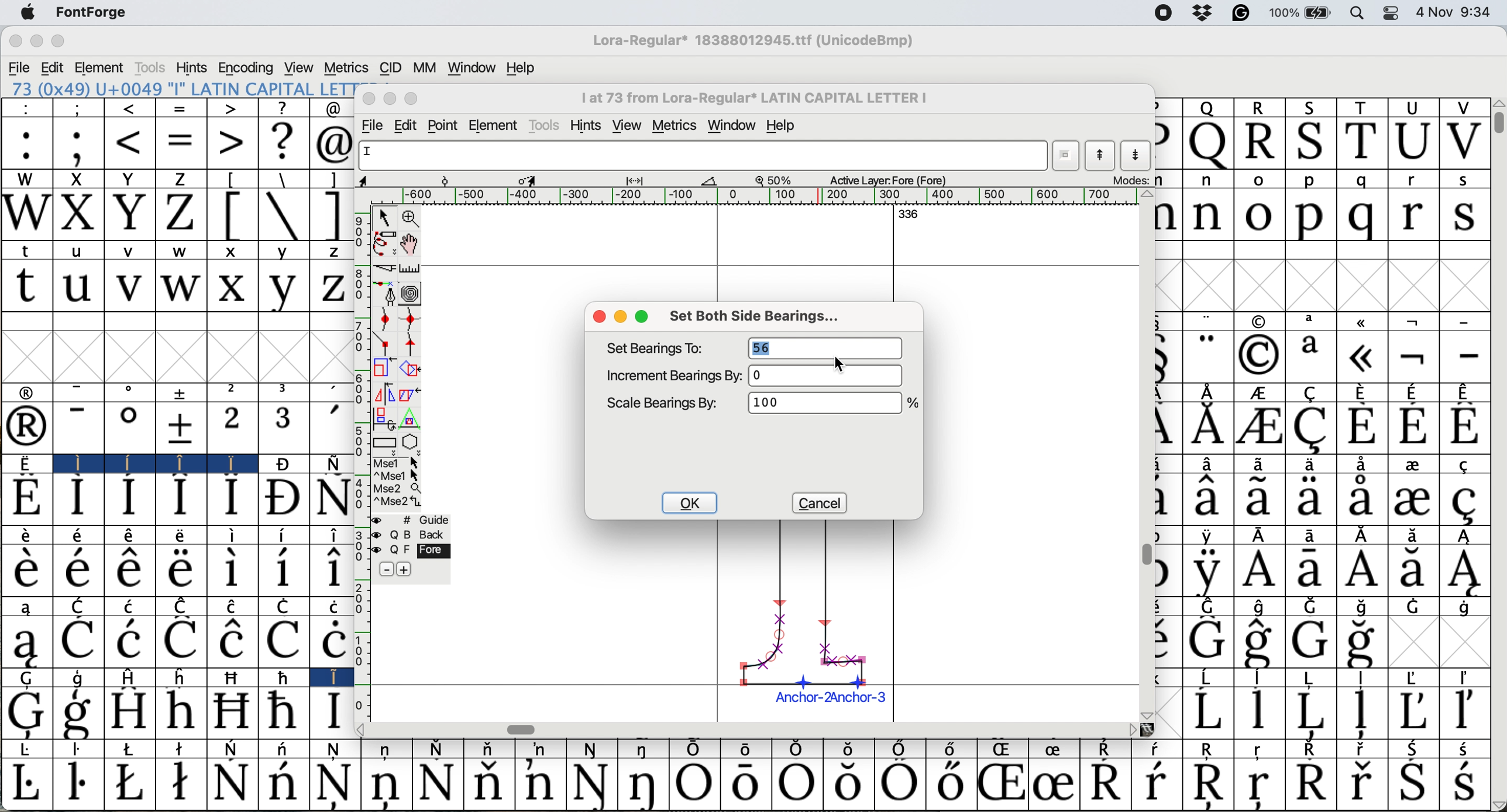  Describe the element at coordinates (907, 215) in the screenshot. I see `` at that location.